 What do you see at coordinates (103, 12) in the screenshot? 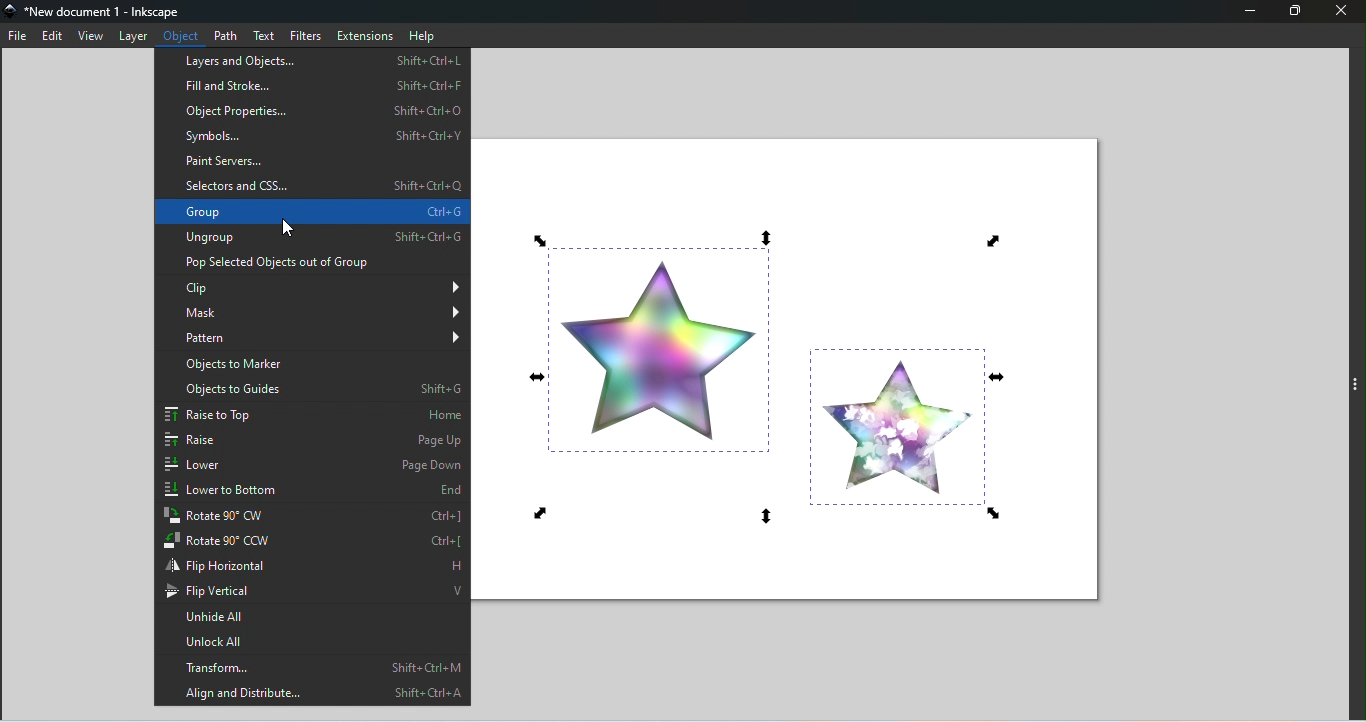
I see `File name` at bounding box center [103, 12].